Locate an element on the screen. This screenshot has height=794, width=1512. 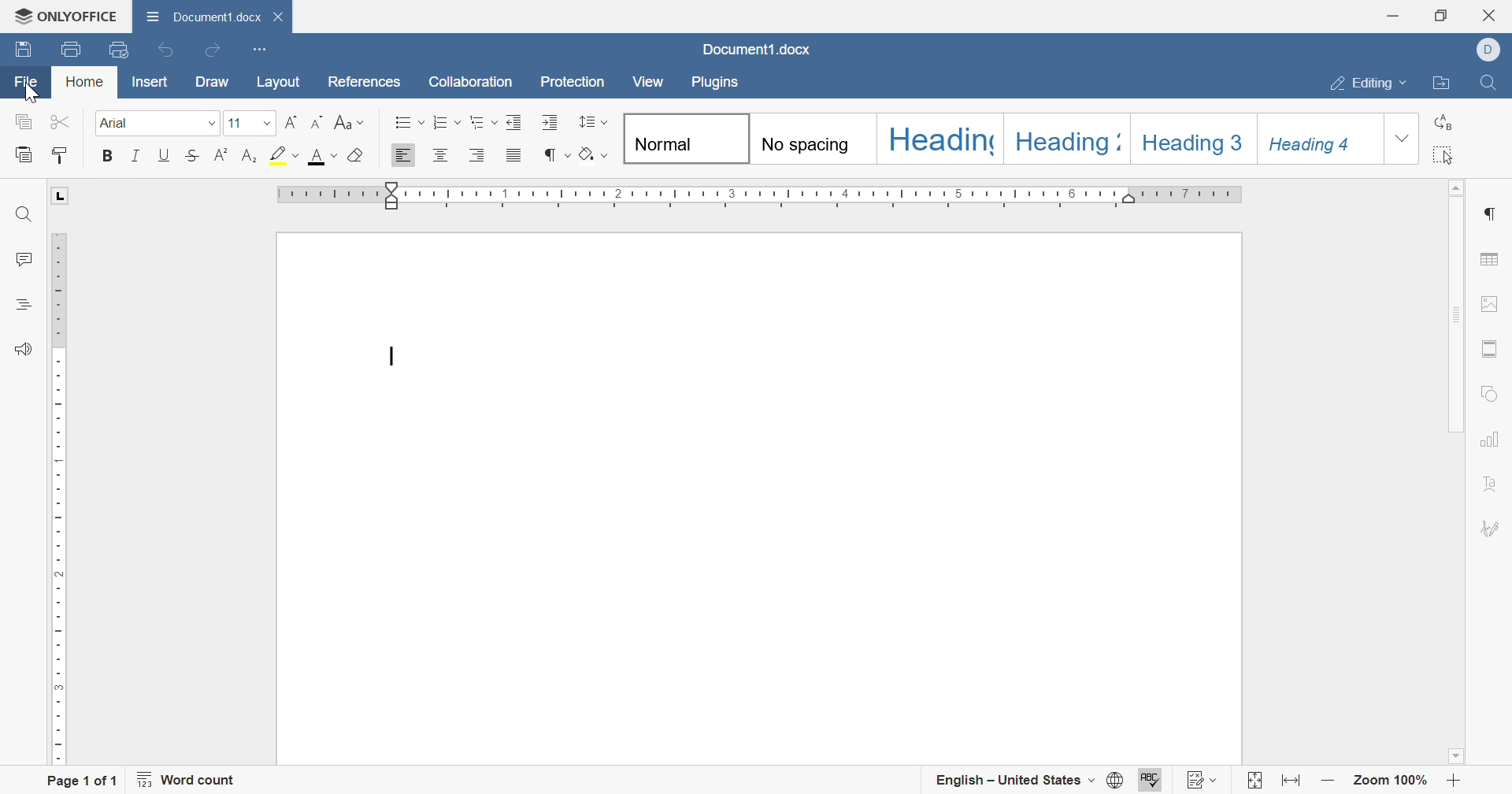
increase indent is located at coordinates (550, 121).